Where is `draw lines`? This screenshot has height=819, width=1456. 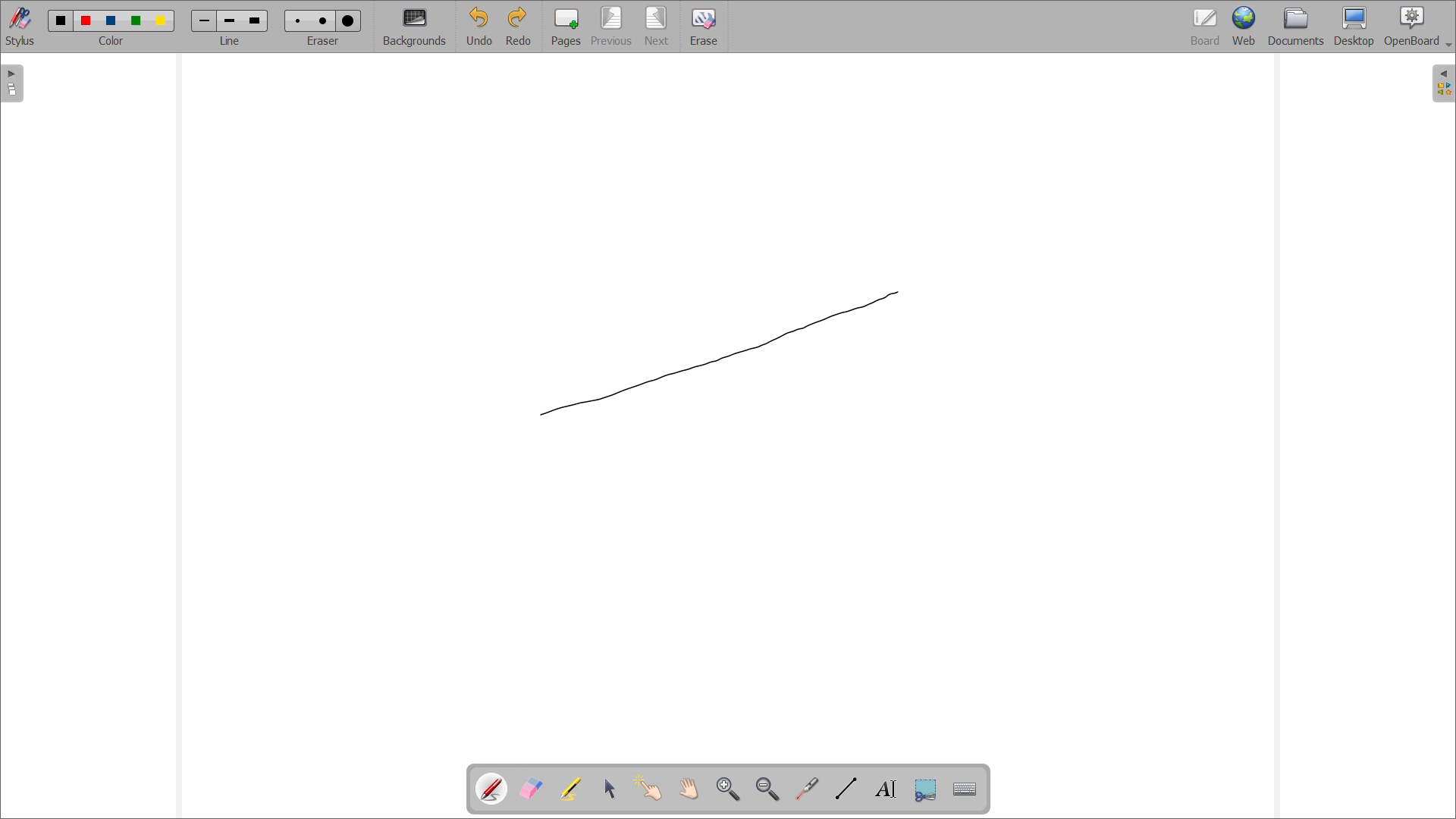 draw lines is located at coordinates (846, 789).